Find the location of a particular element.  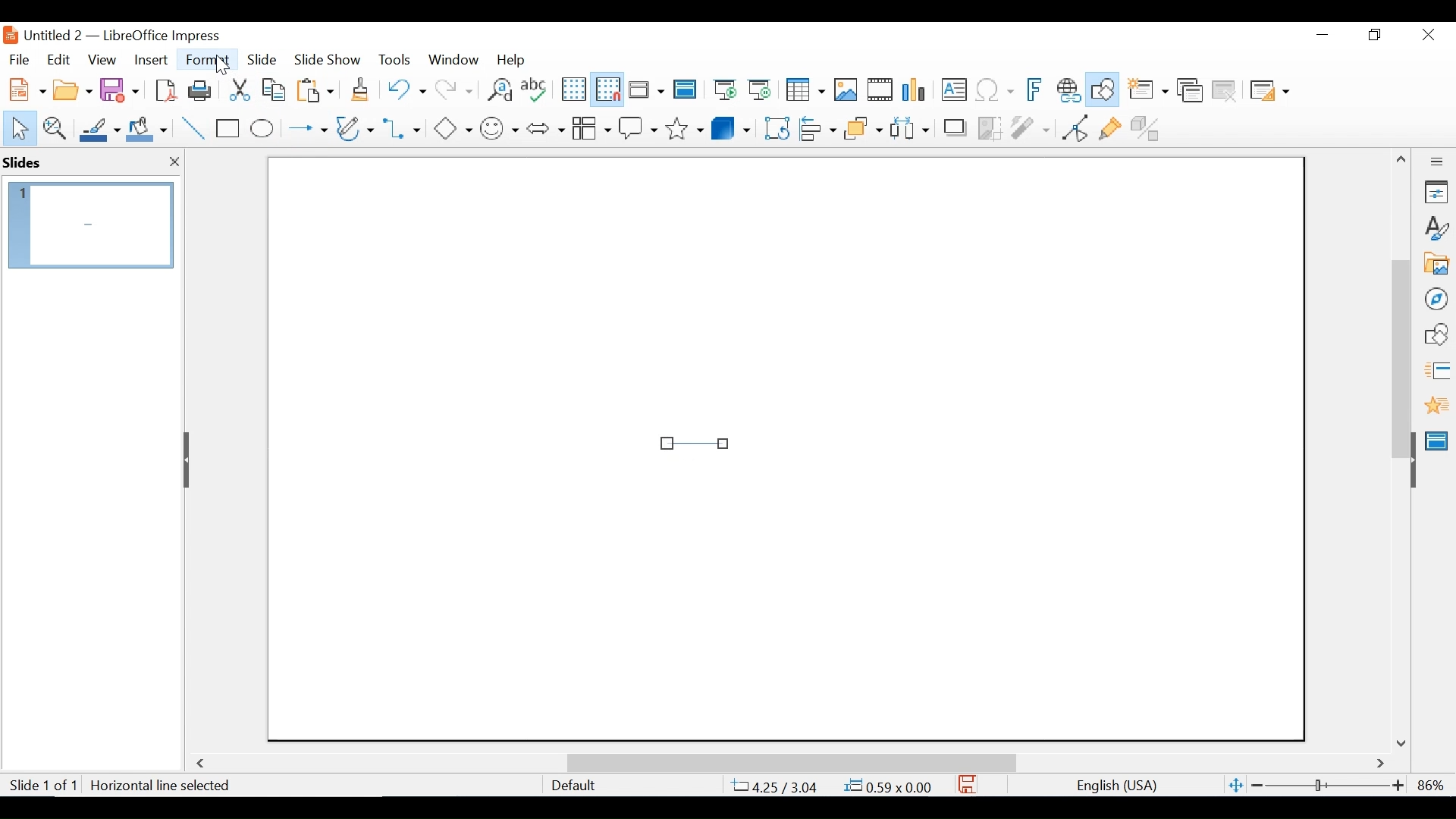

Display Views is located at coordinates (645, 91).